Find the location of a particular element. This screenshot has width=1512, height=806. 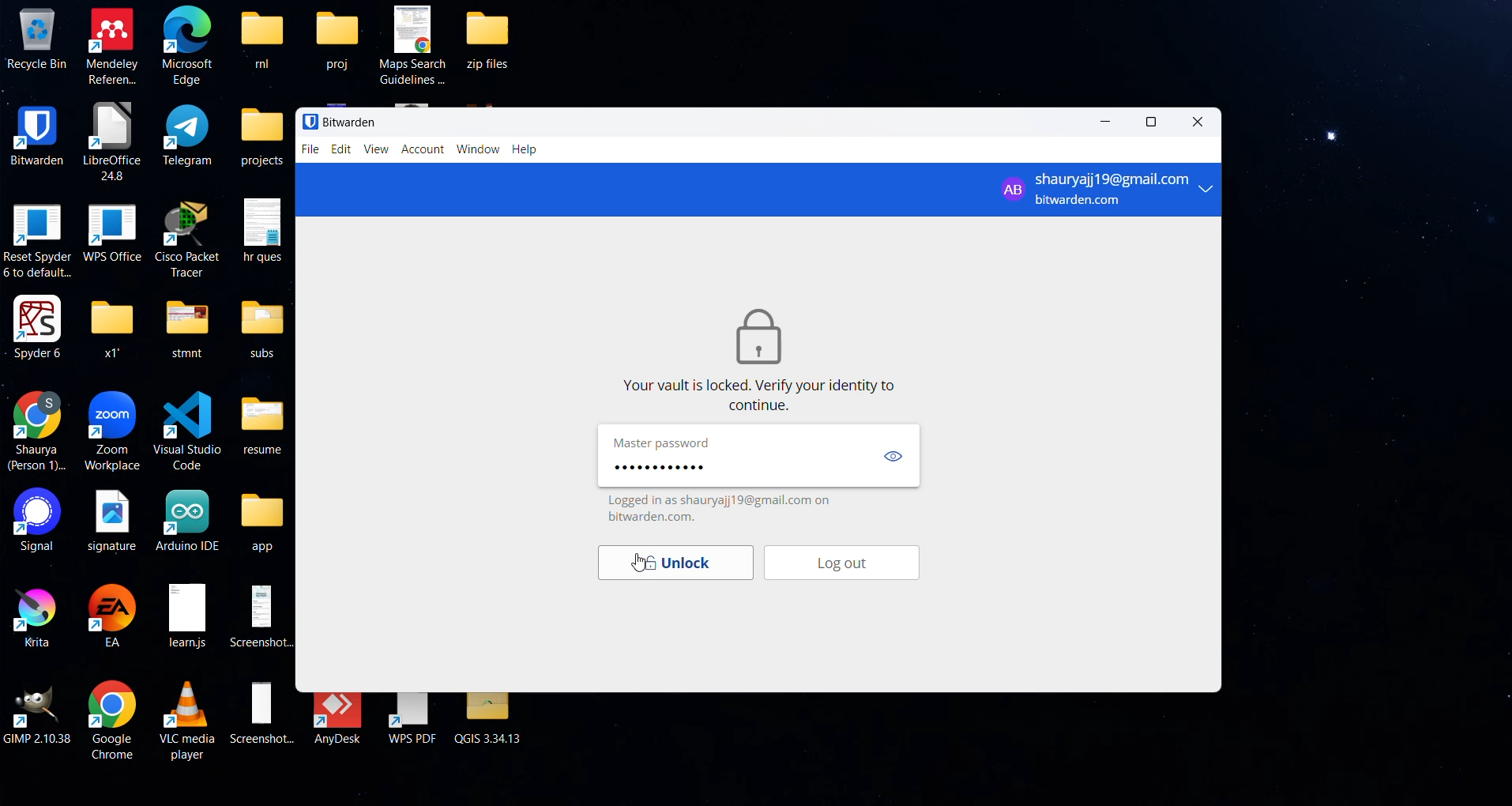

Recycle Bin is located at coordinates (36, 38).